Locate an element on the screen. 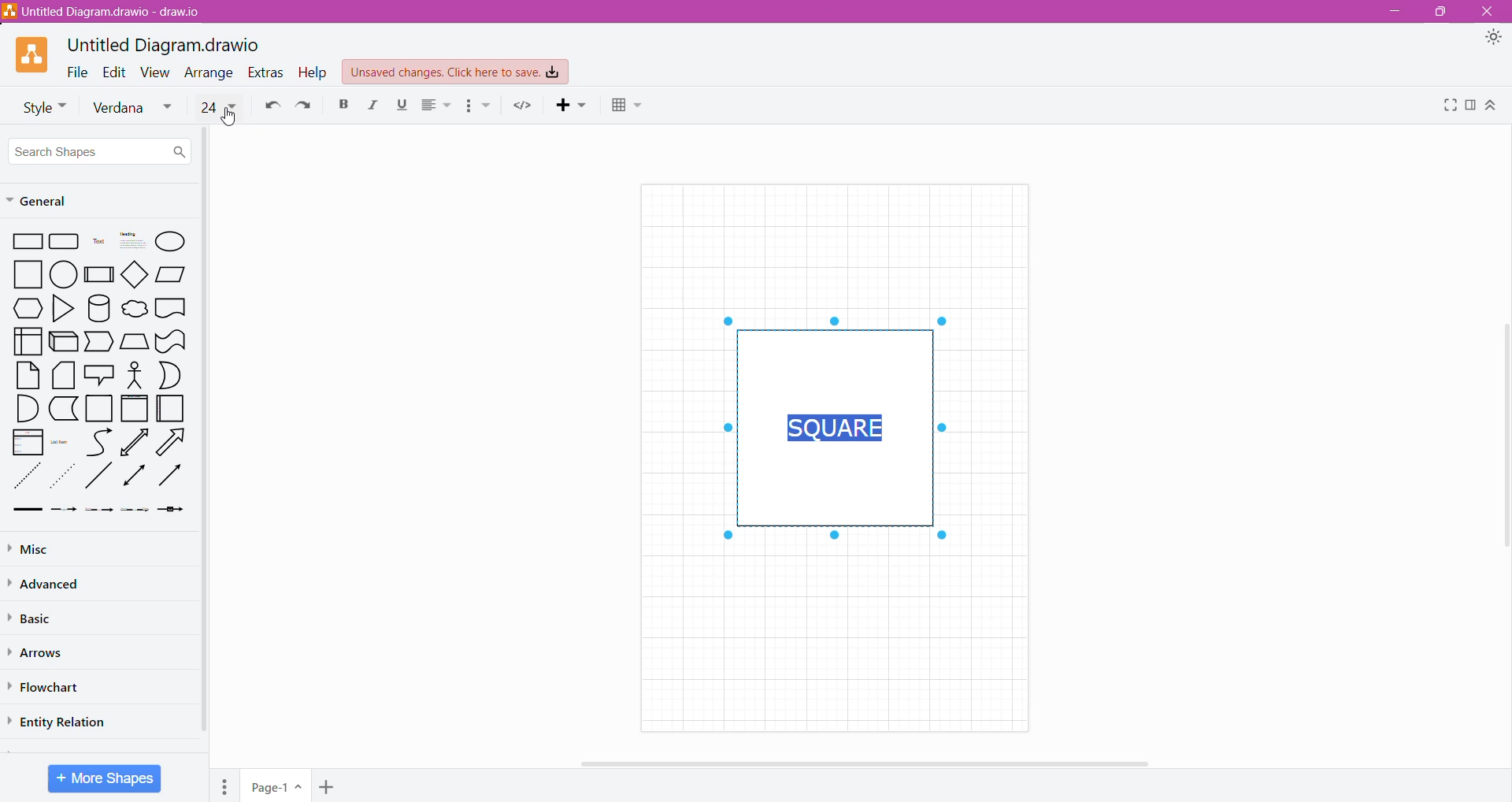 Image resolution: width=1512 pixels, height=802 pixels. Verdana is located at coordinates (132, 109).